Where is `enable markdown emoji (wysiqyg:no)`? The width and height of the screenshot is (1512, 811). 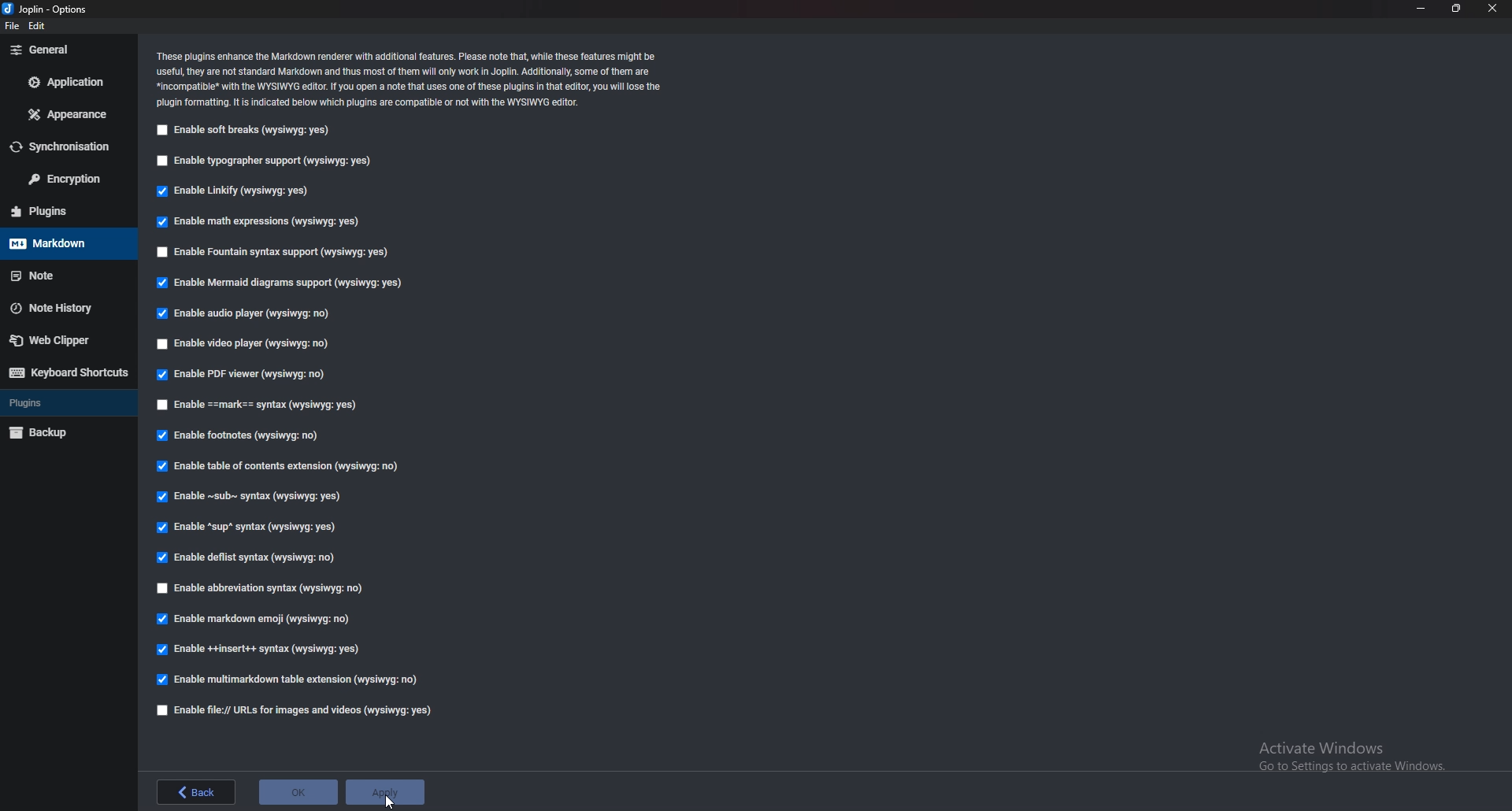
enable markdown emoji (wysiqyg:no) is located at coordinates (251, 620).